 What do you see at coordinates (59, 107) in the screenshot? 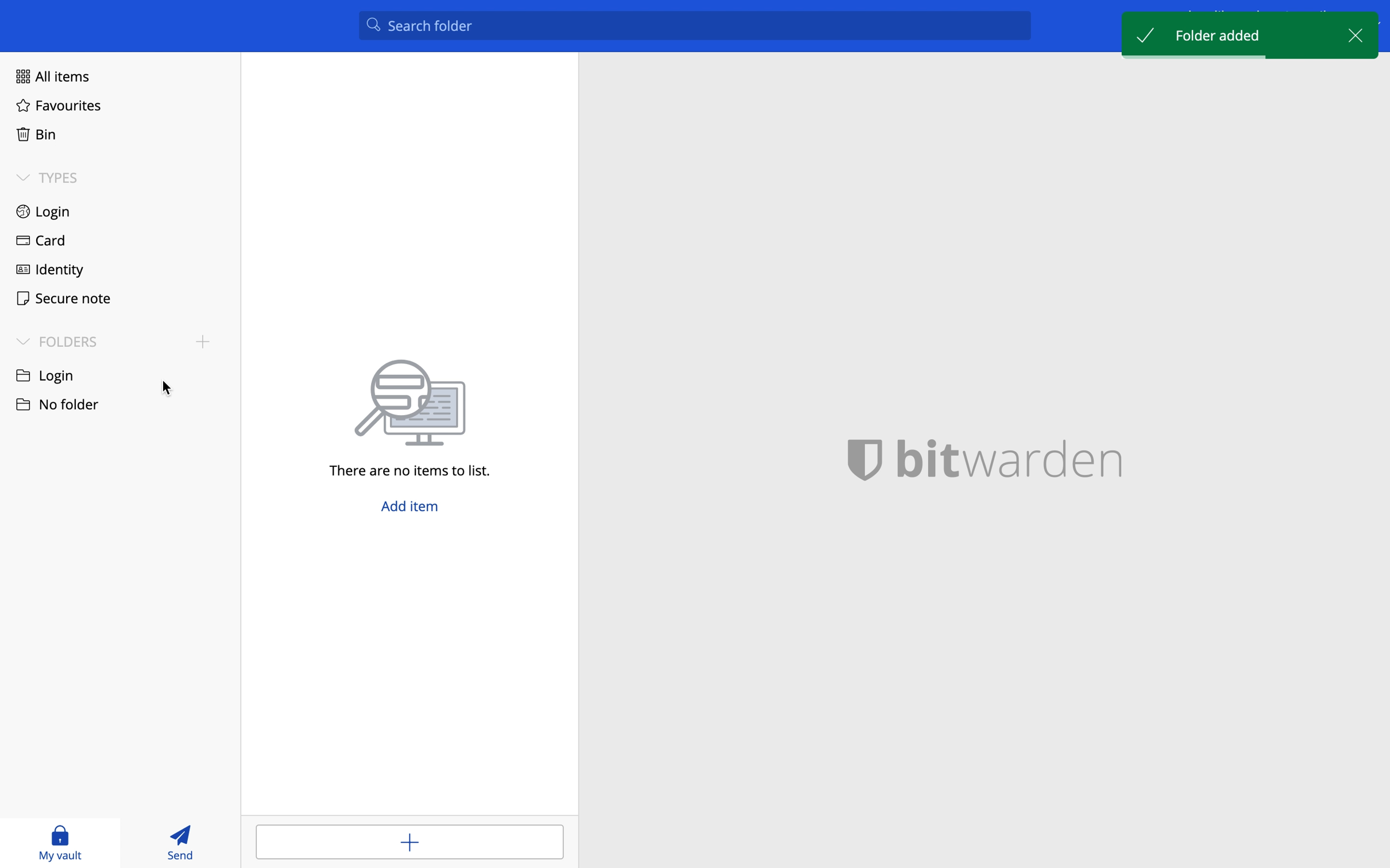
I see `favourites` at bounding box center [59, 107].